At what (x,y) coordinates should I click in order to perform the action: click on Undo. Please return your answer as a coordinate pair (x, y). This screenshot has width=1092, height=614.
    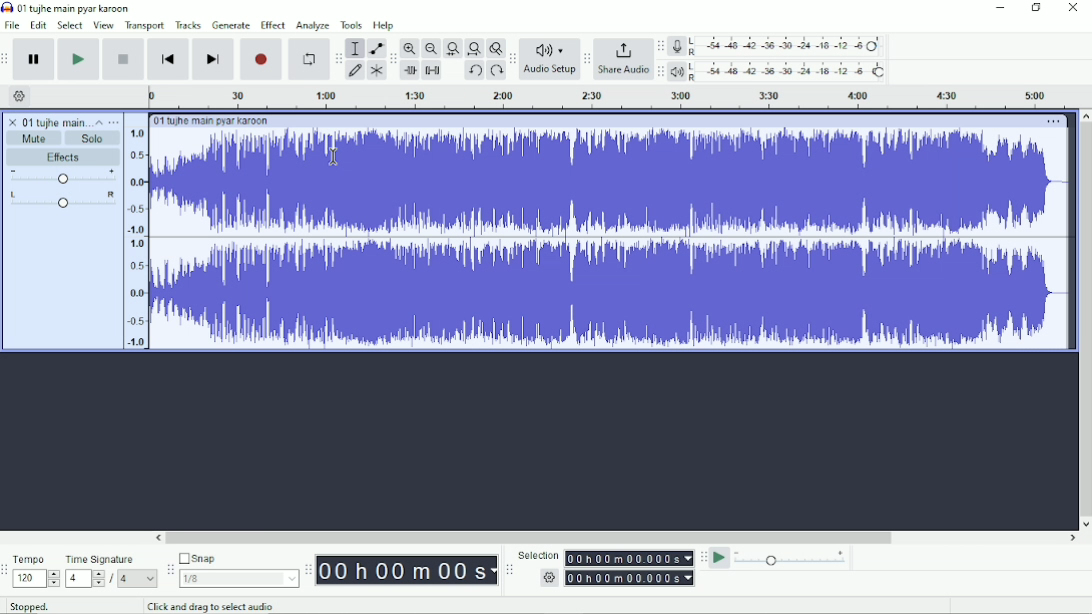
    Looking at the image, I should click on (474, 70).